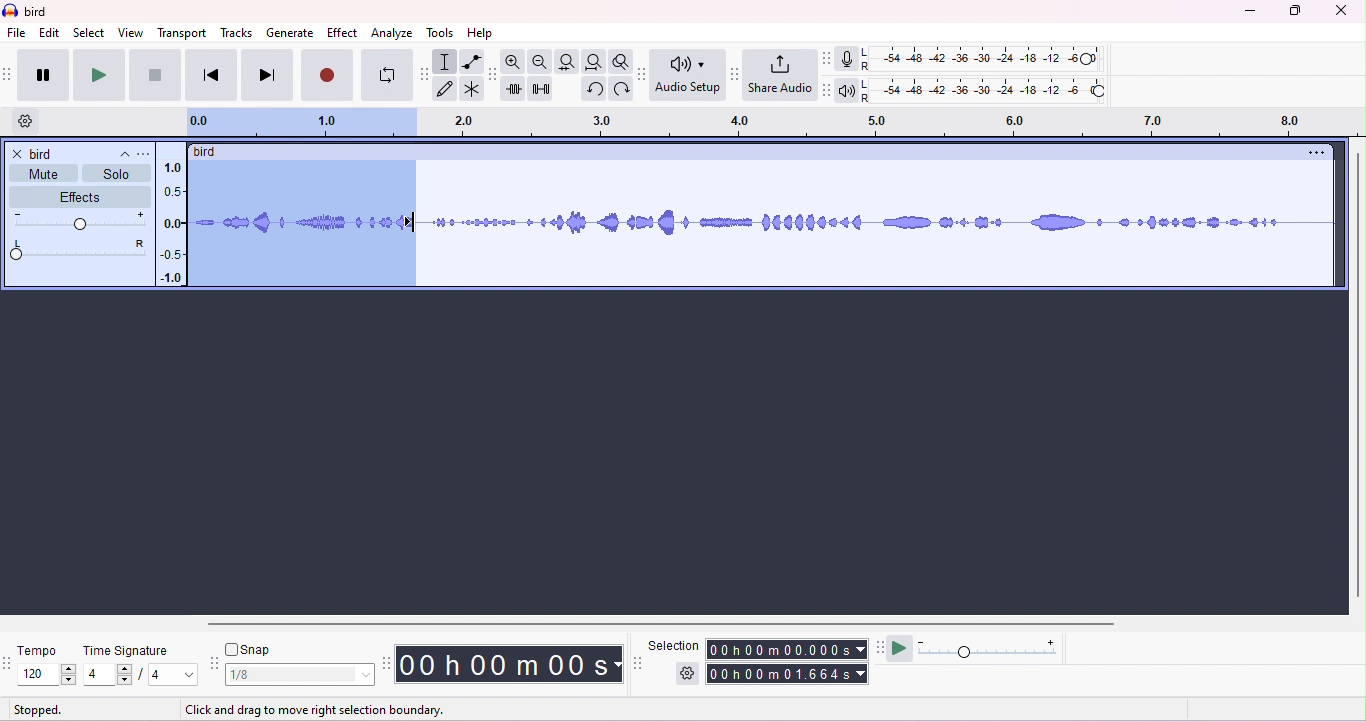 The width and height of the screenshot is (1366, 722). What do you see at coordinates (1340, 10) in the screenshot?
I see `close` at bounding box center [1340, 10].